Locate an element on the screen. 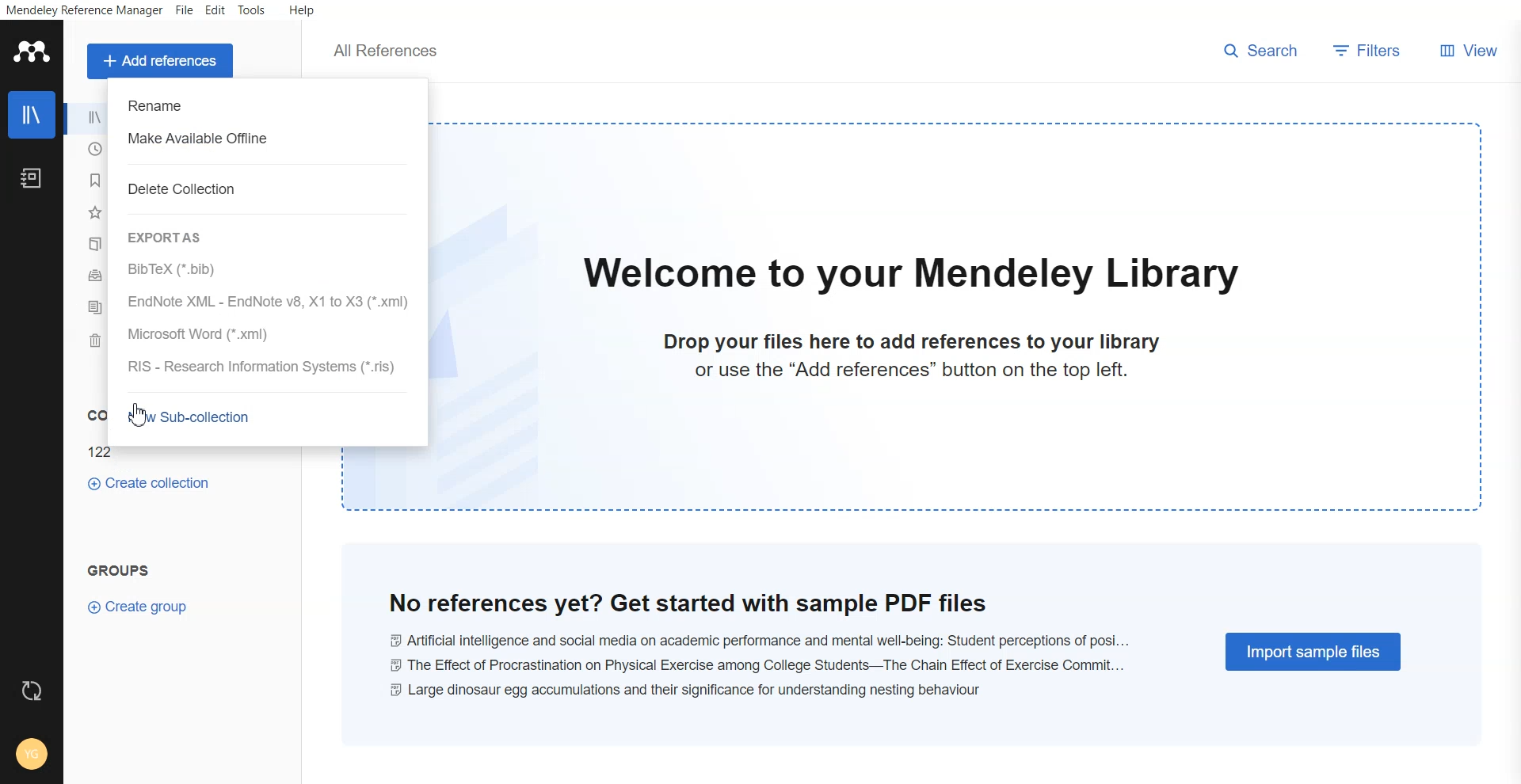  Export As is located at coordinates (254, 238).